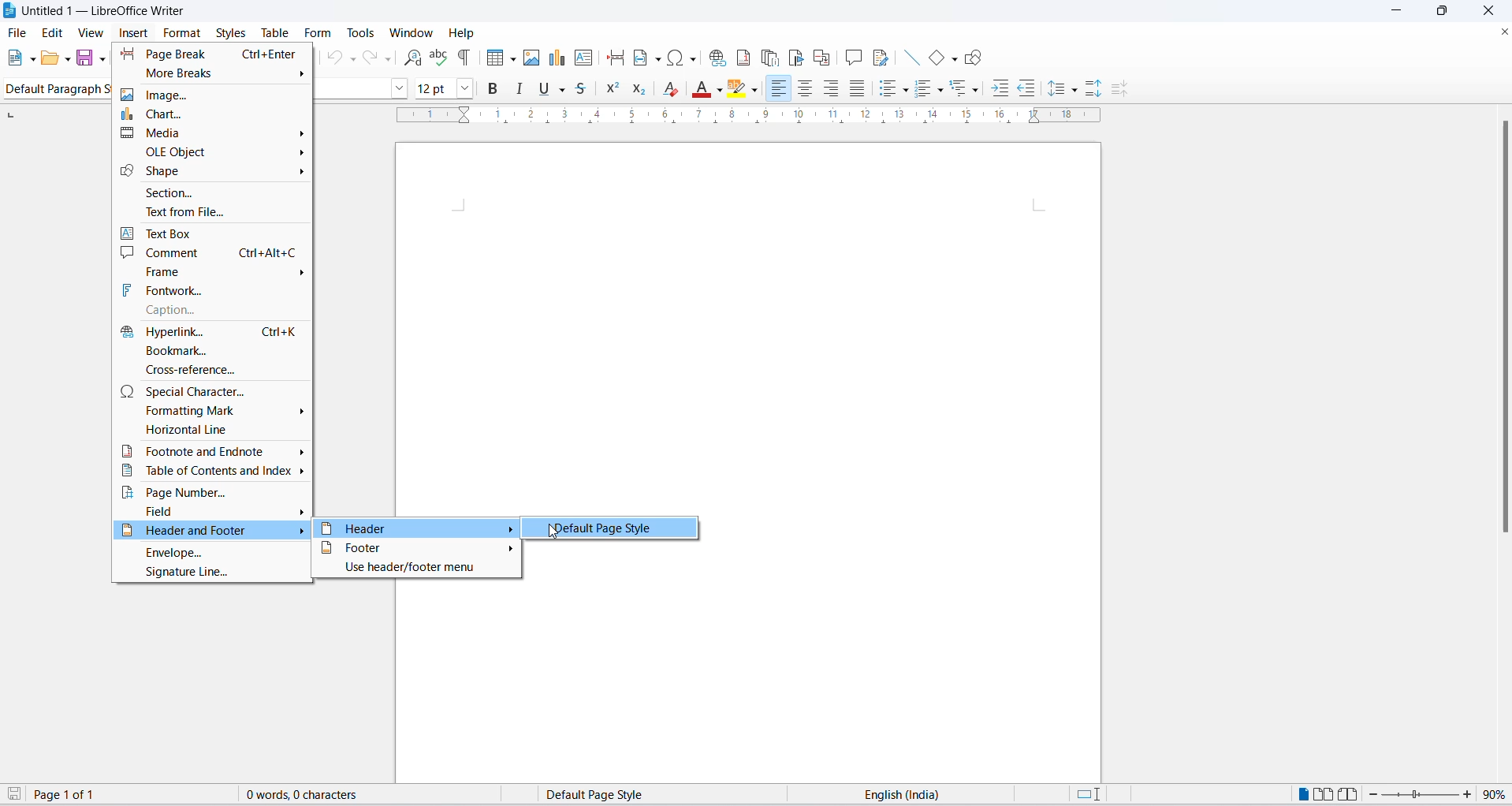  What do you see at coordinates (823, 54) in the screenshot?
I see `insert cross-reference` at bounding box center [823, 54].